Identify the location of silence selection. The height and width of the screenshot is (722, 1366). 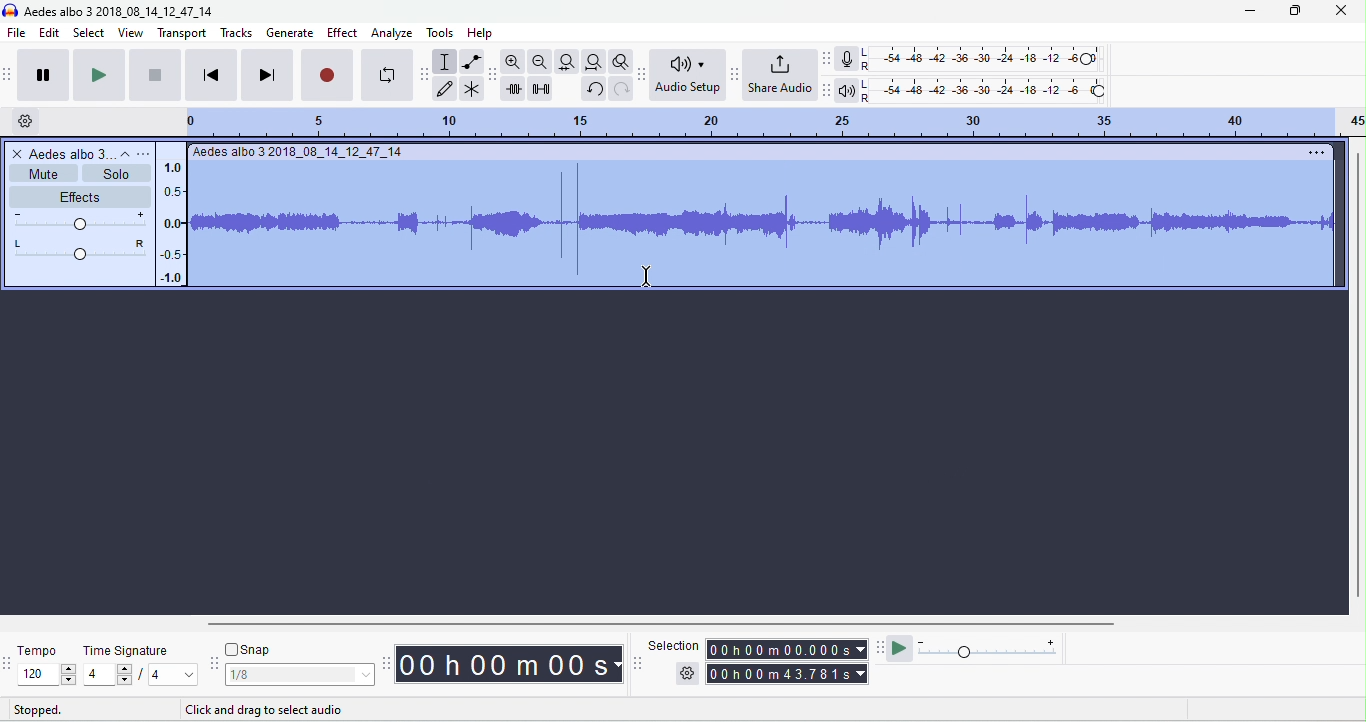
(541, 88).